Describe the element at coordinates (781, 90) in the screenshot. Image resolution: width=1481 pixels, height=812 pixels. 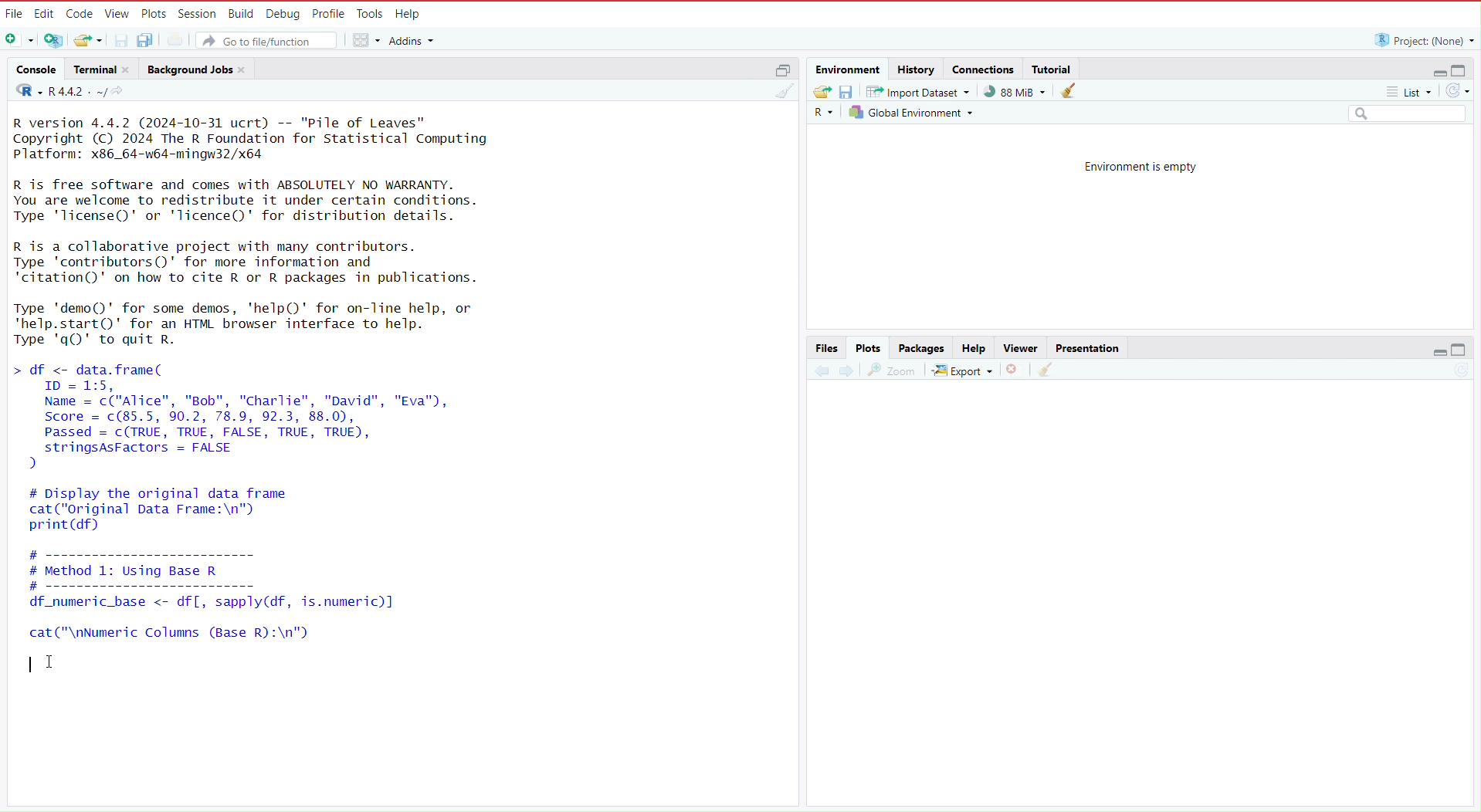
I see `clear console` at that location.